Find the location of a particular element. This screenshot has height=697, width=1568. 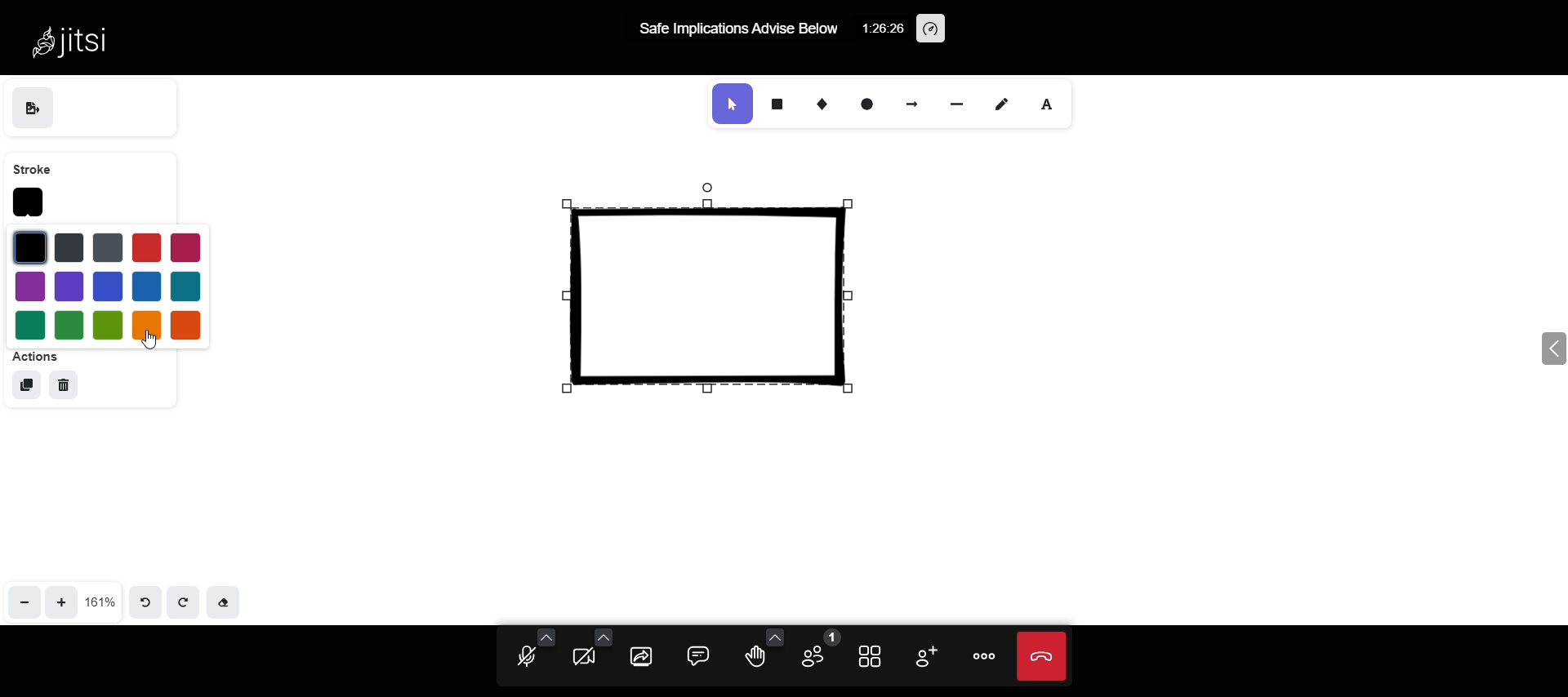

rectangle is located at coordinates (775, 100).